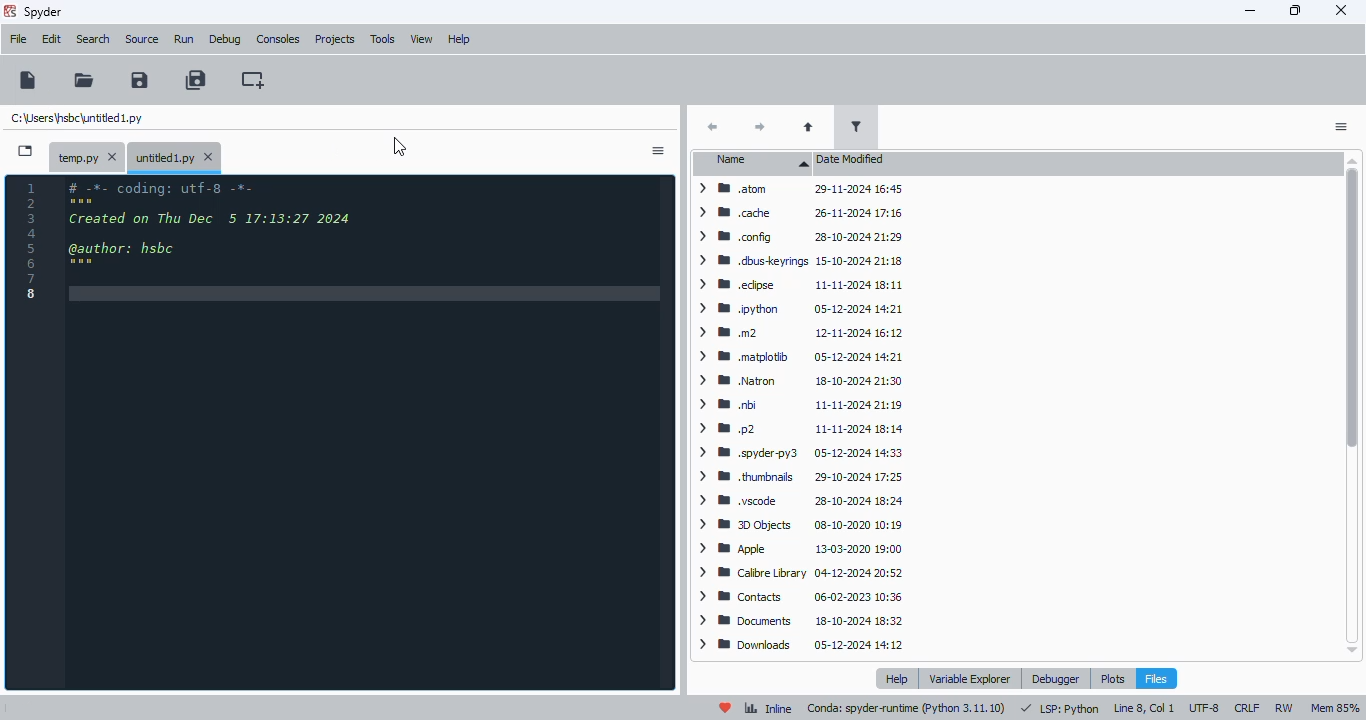 The width and height of the screenshot is (1366, 720). I want to click on logo, so click(9, 11).